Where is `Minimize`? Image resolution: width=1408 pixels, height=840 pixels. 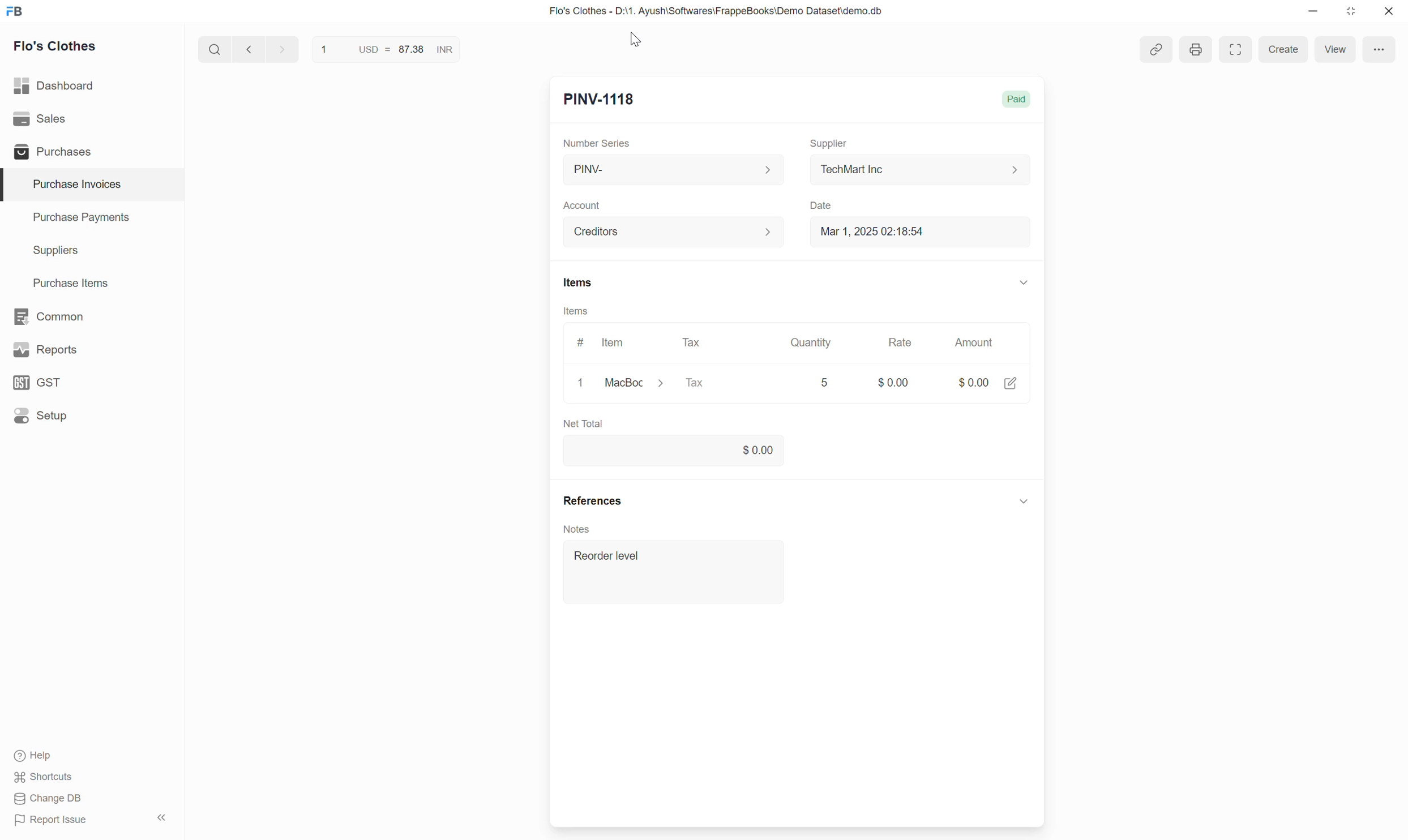
Minimize is located at coordinates (1313, 11).